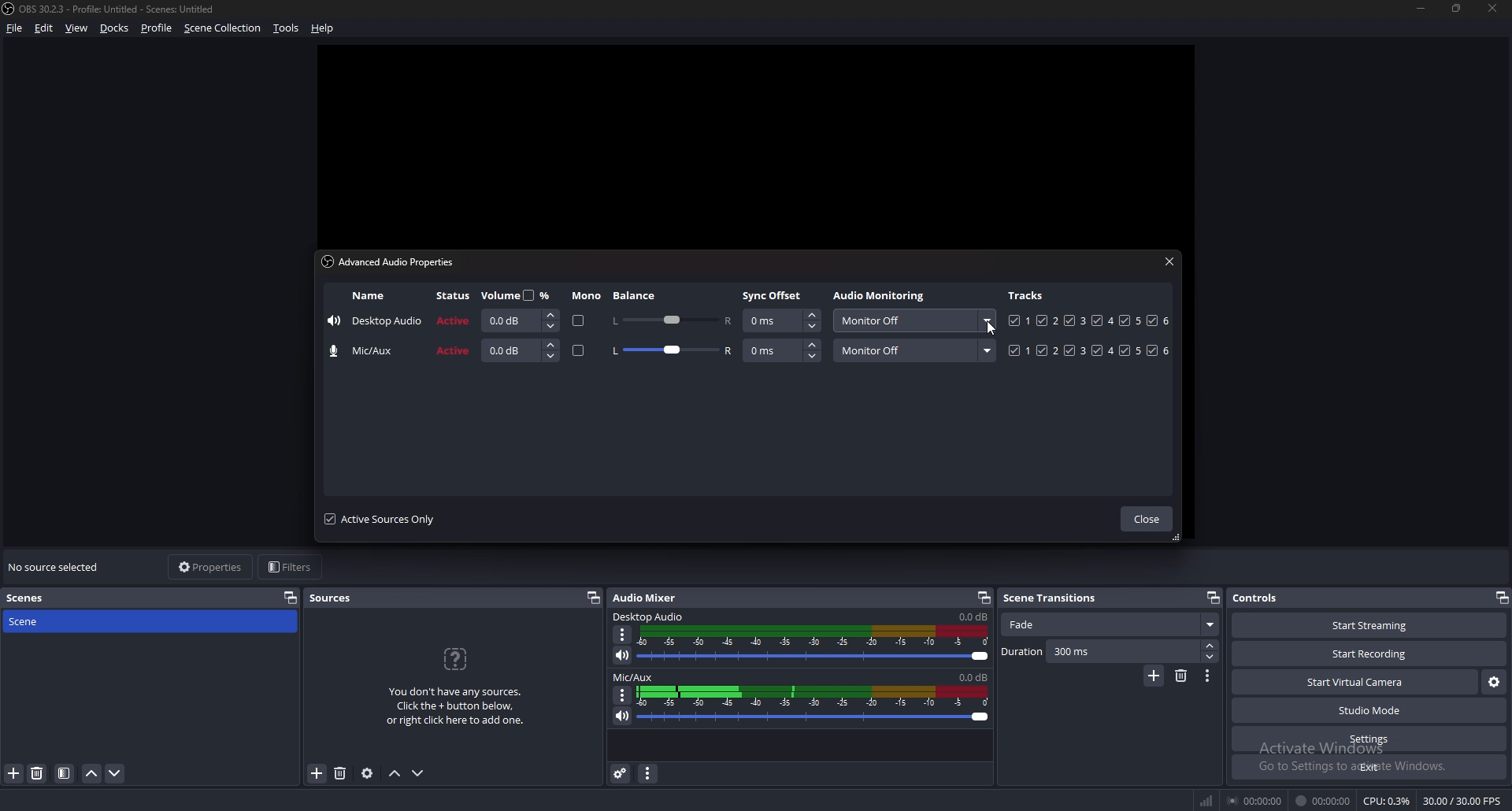  I want to click on stuatus, so click(455, 296).